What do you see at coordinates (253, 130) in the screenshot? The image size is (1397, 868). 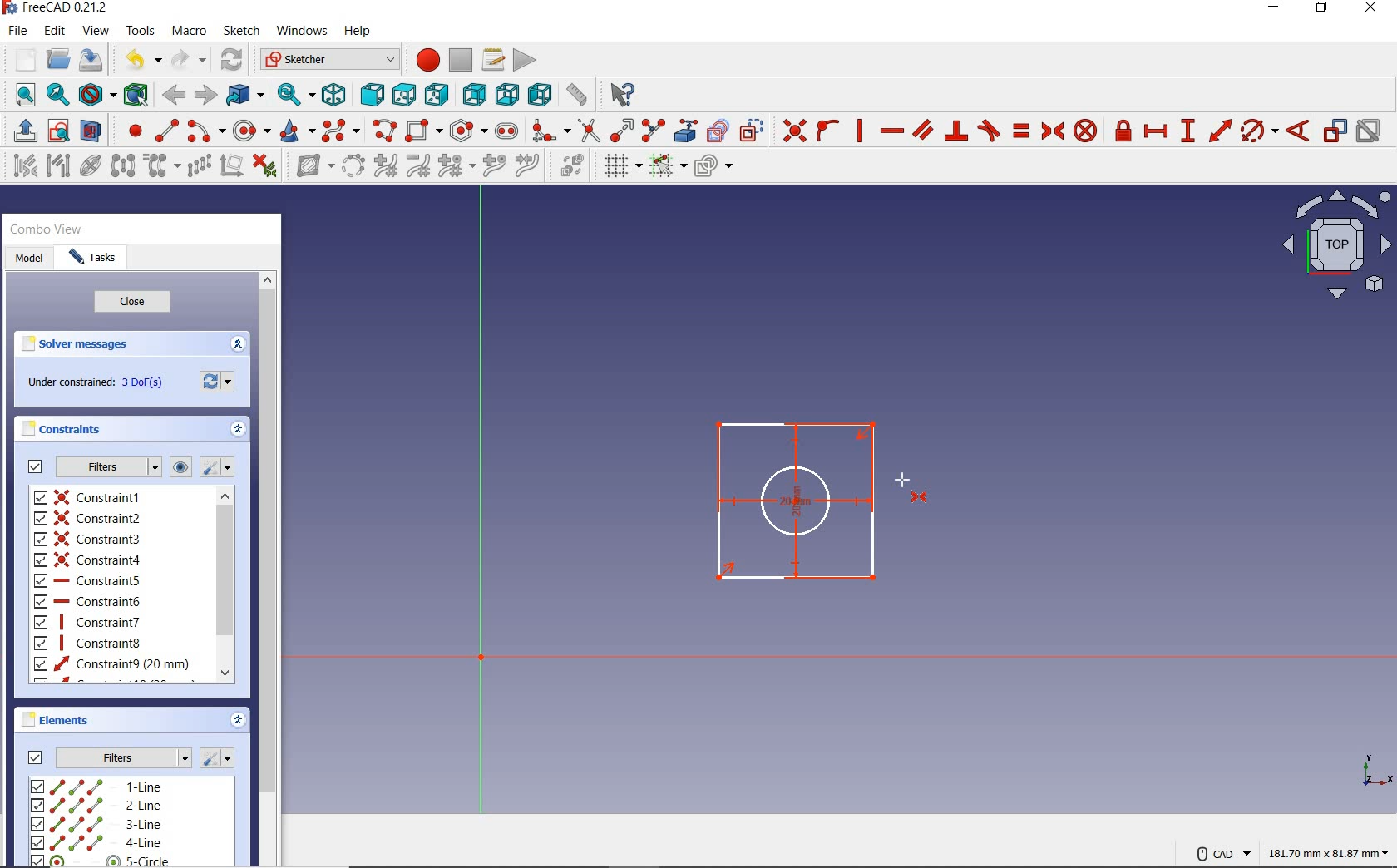 I see `create circle` at bounding box center [253, 130].